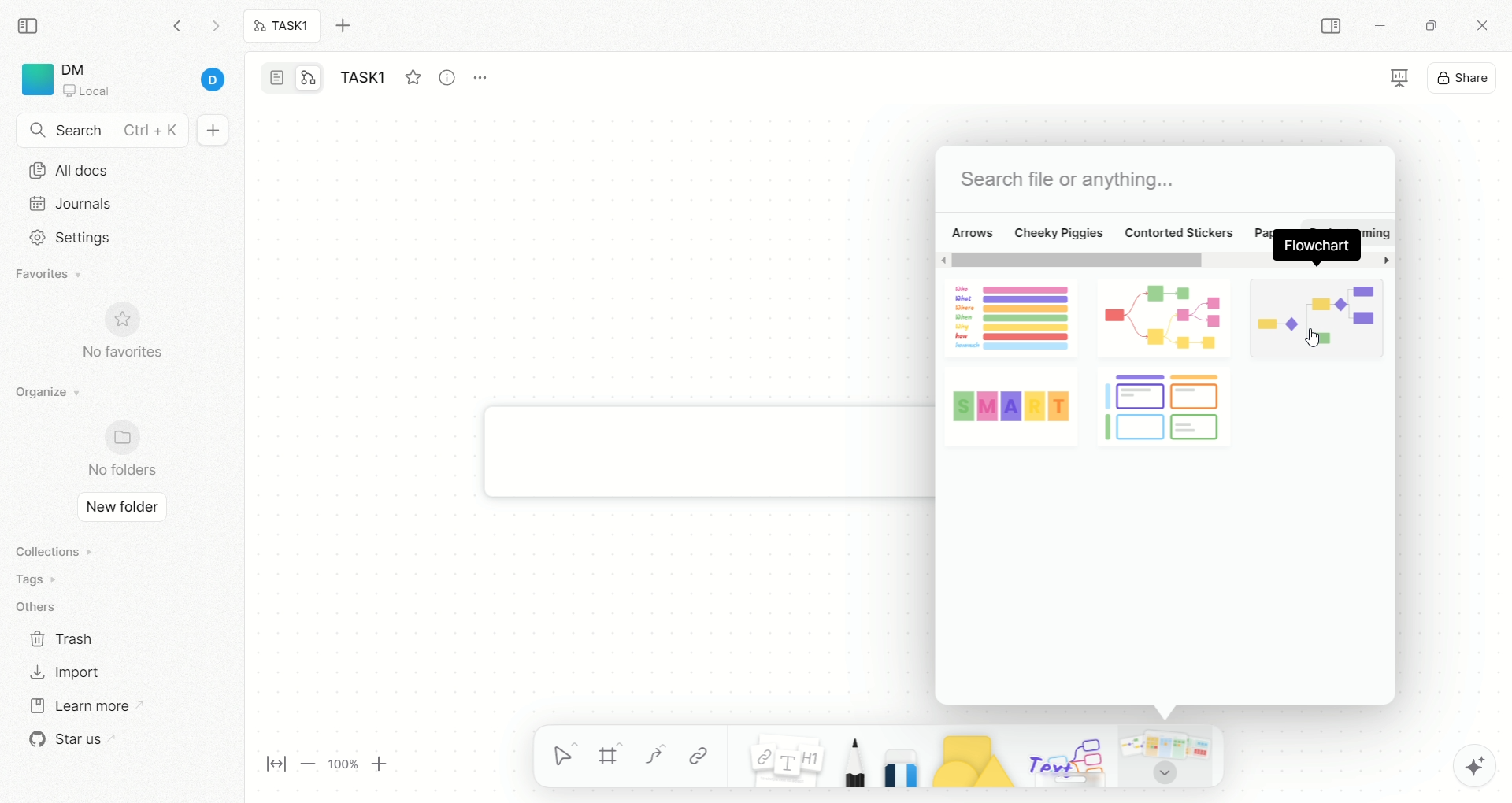 This screenshot has width=1512, height=803. Describe the element at coordinates (1163, 359) in the screenshot. I see `flowcharts` at that location.